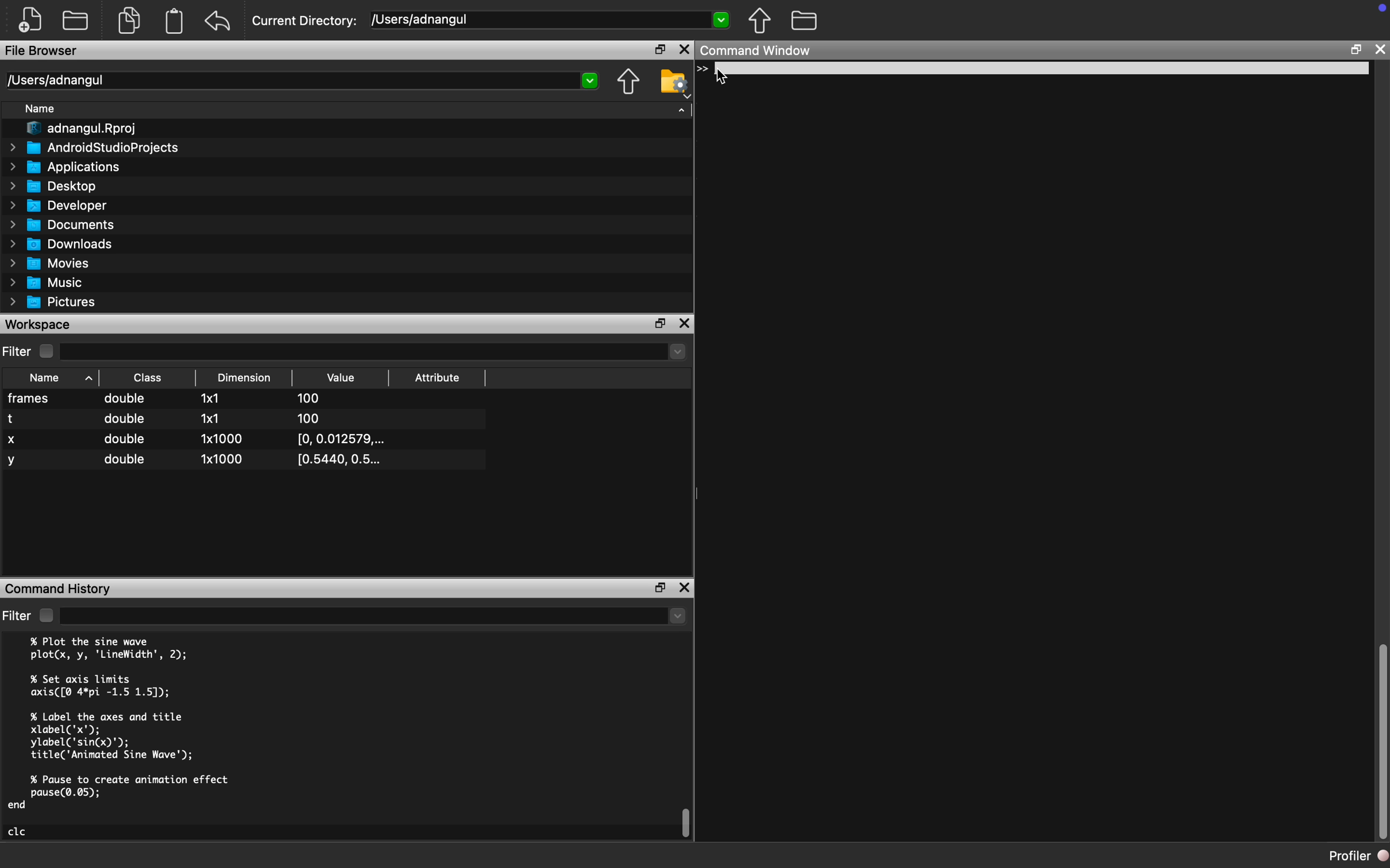  I want to click on Parent Directory, so click(628, 83).